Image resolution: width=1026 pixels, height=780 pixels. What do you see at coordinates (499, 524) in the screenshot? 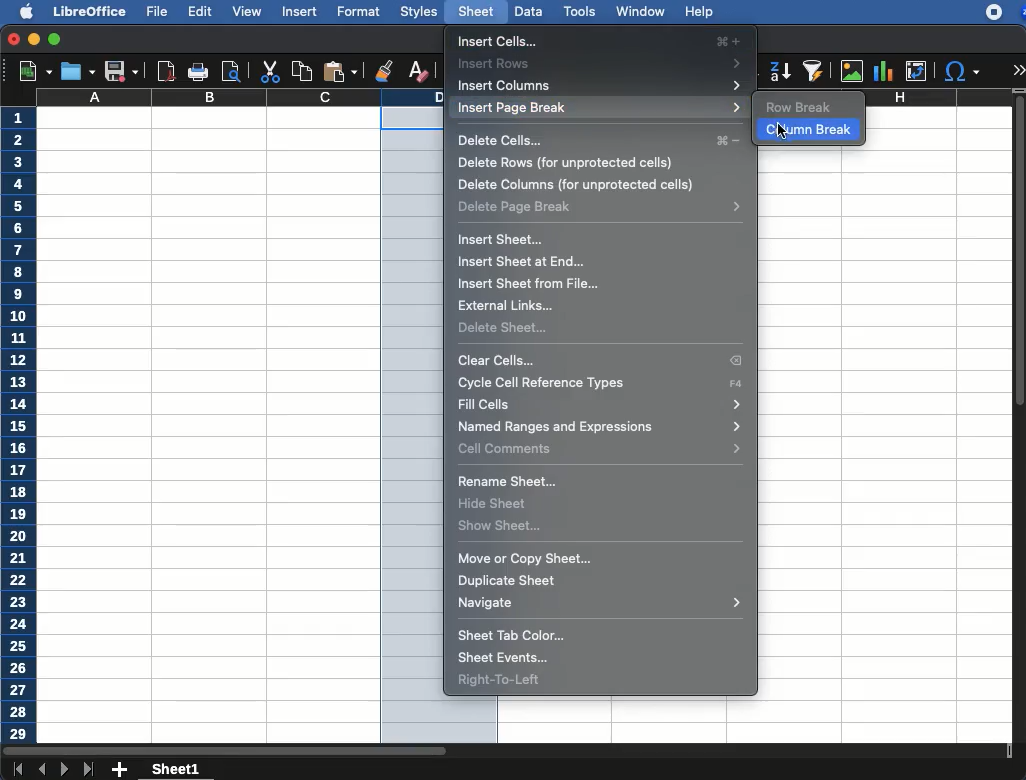
I see `show sheet` at bounding box center [499, 524].